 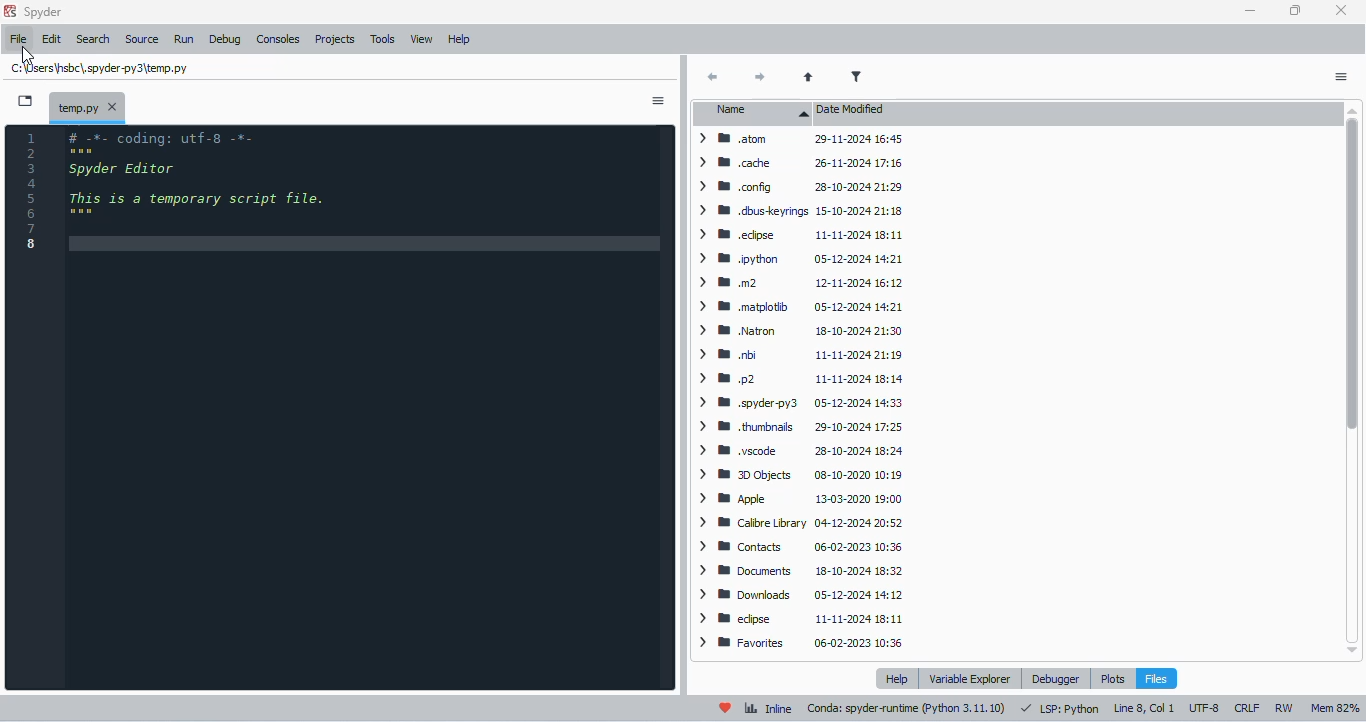 What do you see at coordinates (92, 39) in the screenshot?
I see `search` at bounding box center [92, 39].